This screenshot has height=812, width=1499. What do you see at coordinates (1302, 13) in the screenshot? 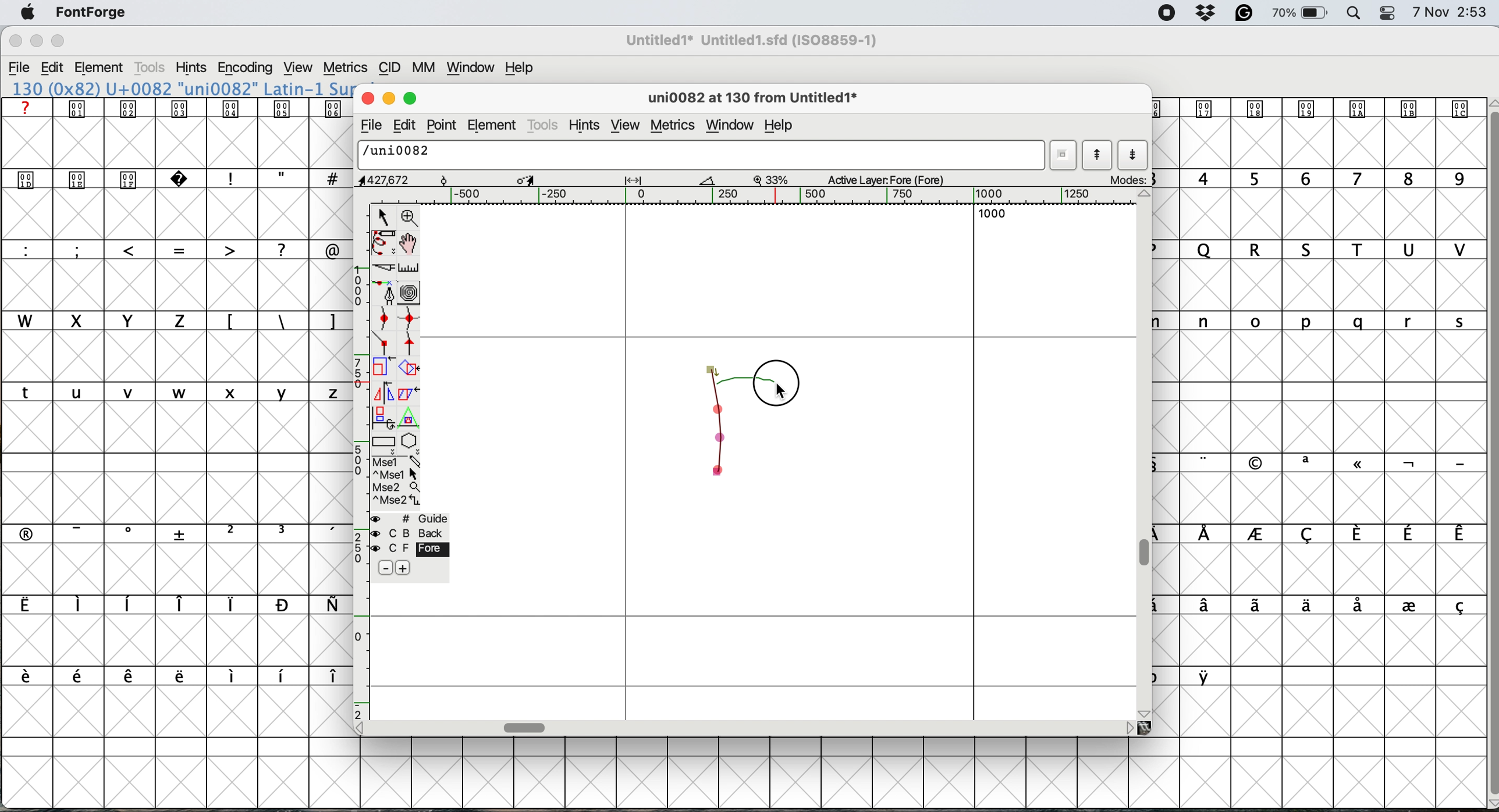
I see `battery` at bounding box center [1302, 13].